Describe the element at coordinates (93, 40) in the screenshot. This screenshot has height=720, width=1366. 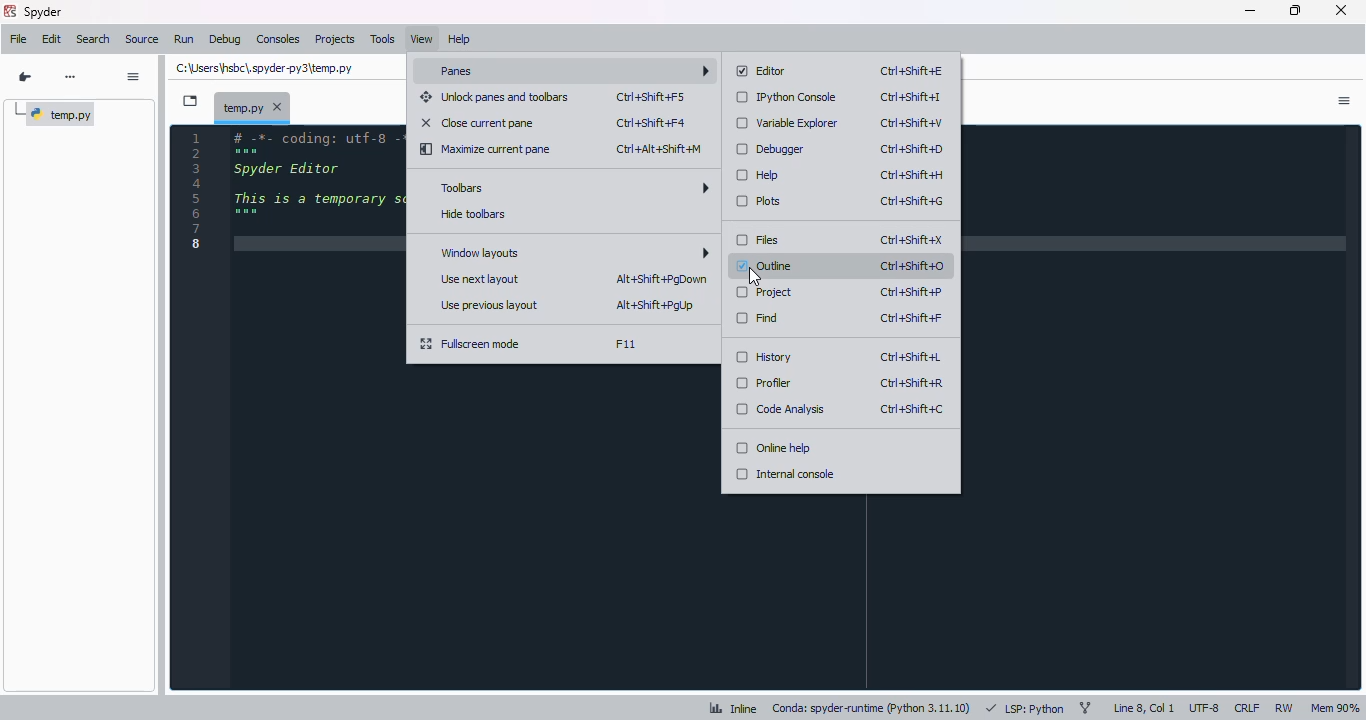
I see `search` at that location.